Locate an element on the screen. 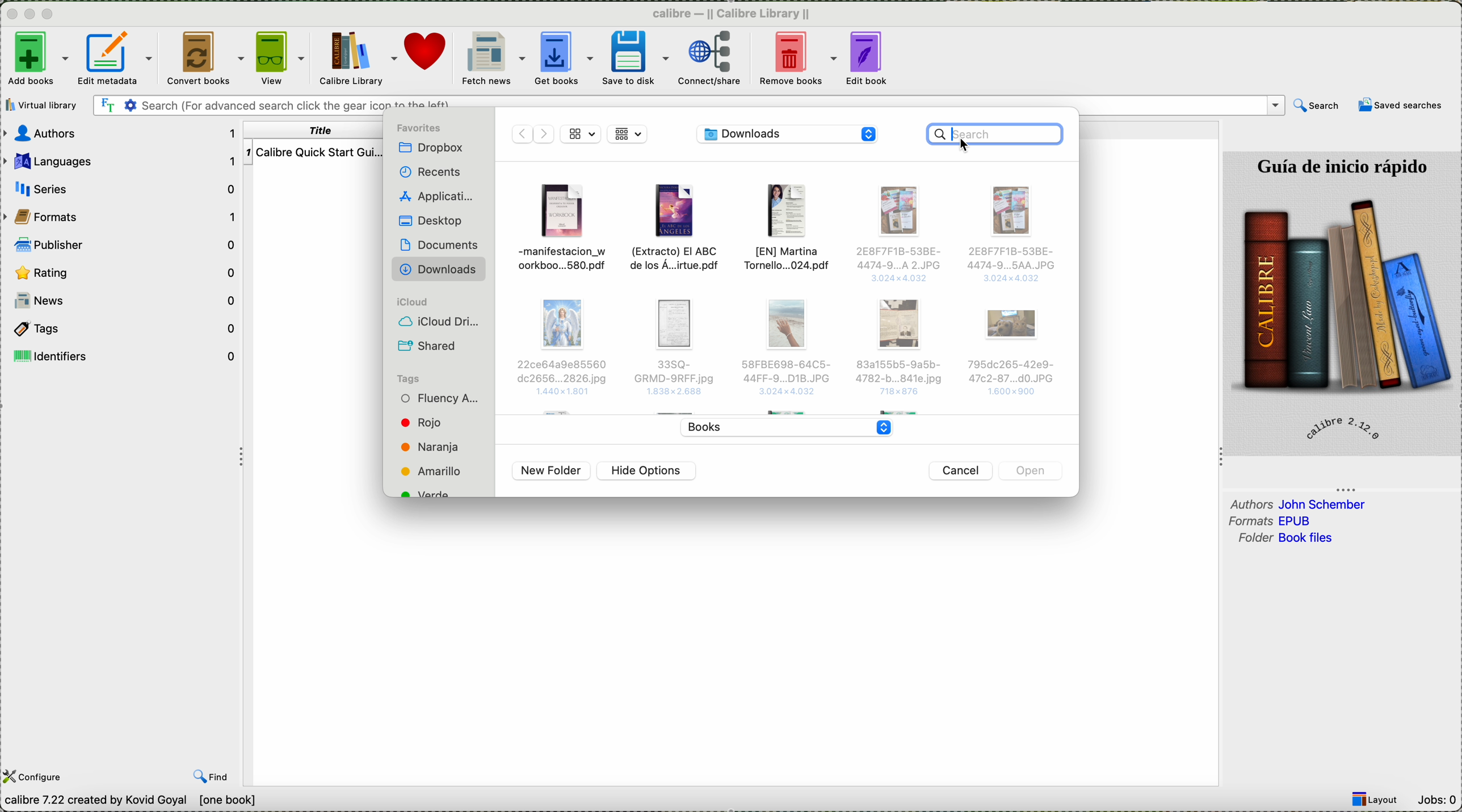   is located at coordinates (897, 346).